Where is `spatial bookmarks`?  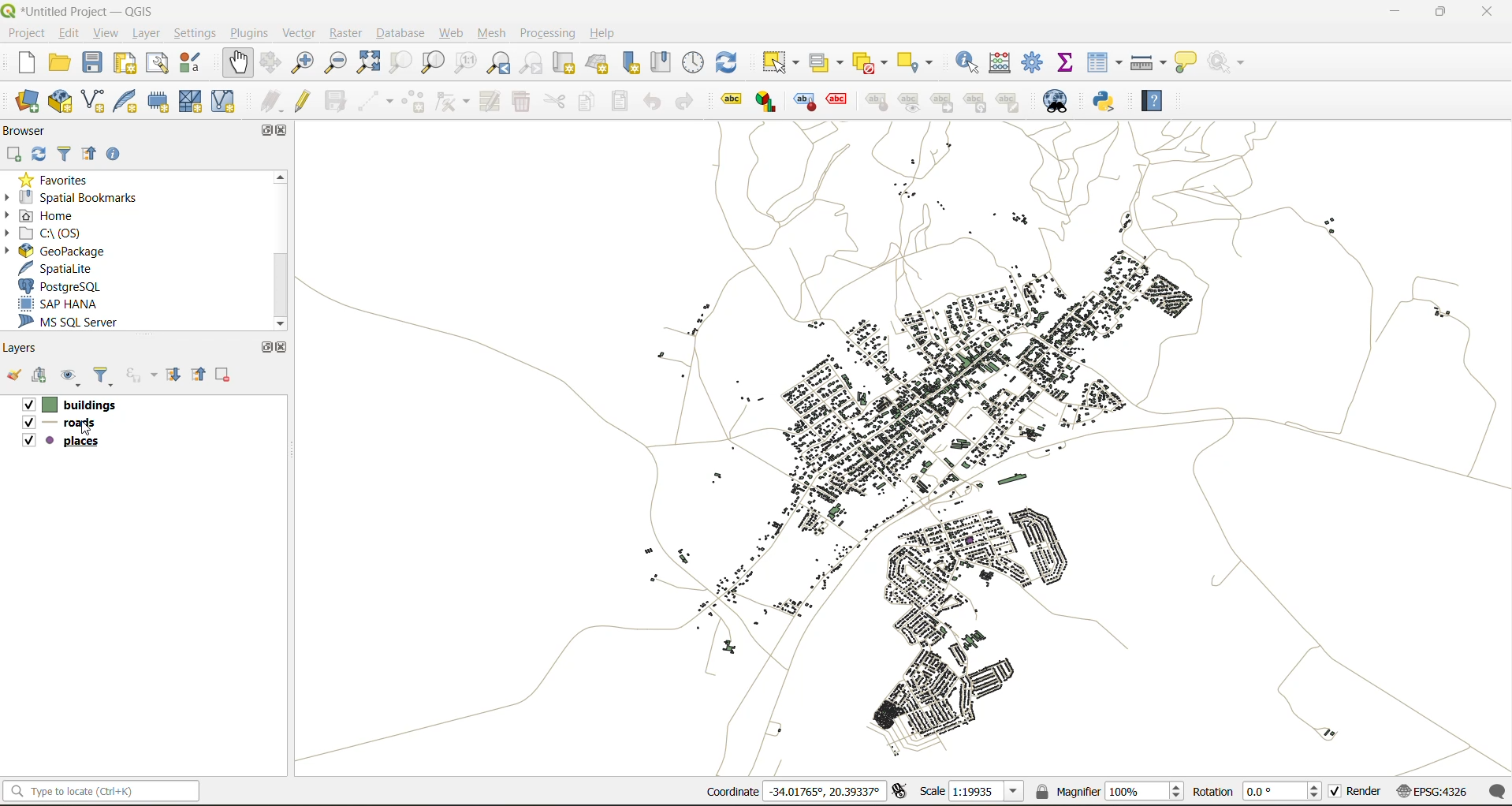 spatial bookmarks is located at coordinates (81, 198).